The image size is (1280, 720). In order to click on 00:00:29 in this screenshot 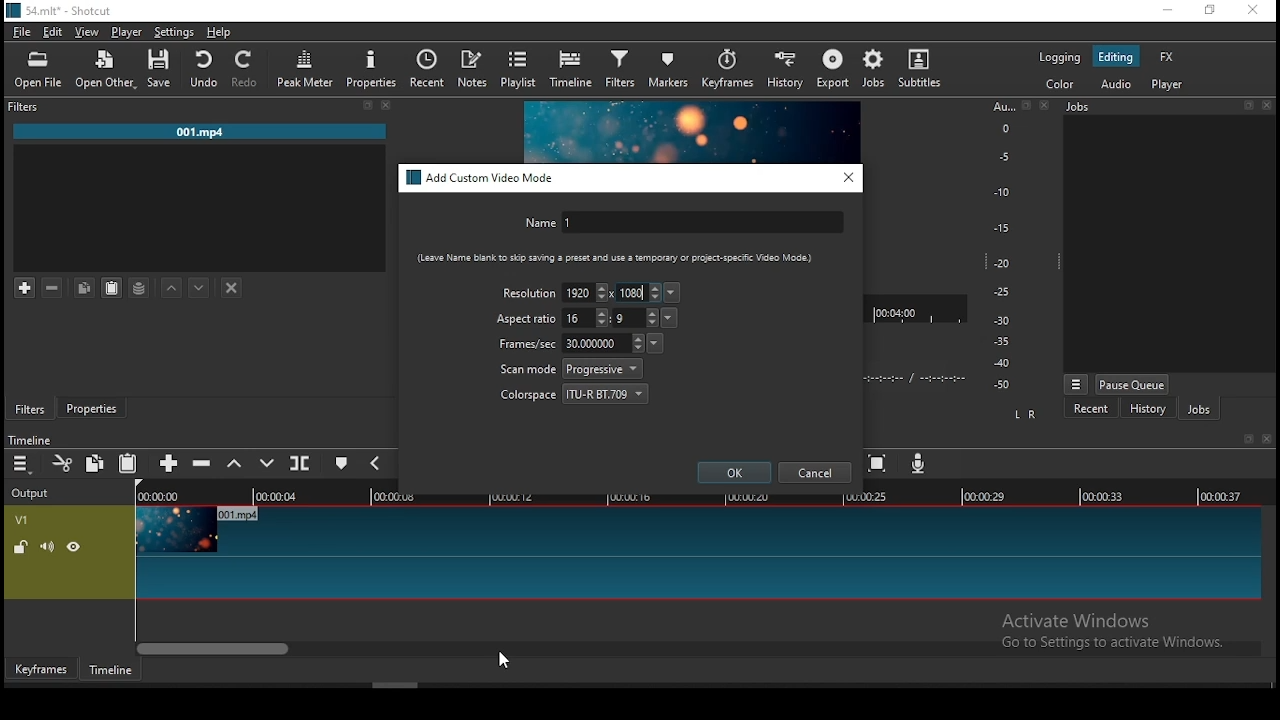, I will do `click(987, 496)`.